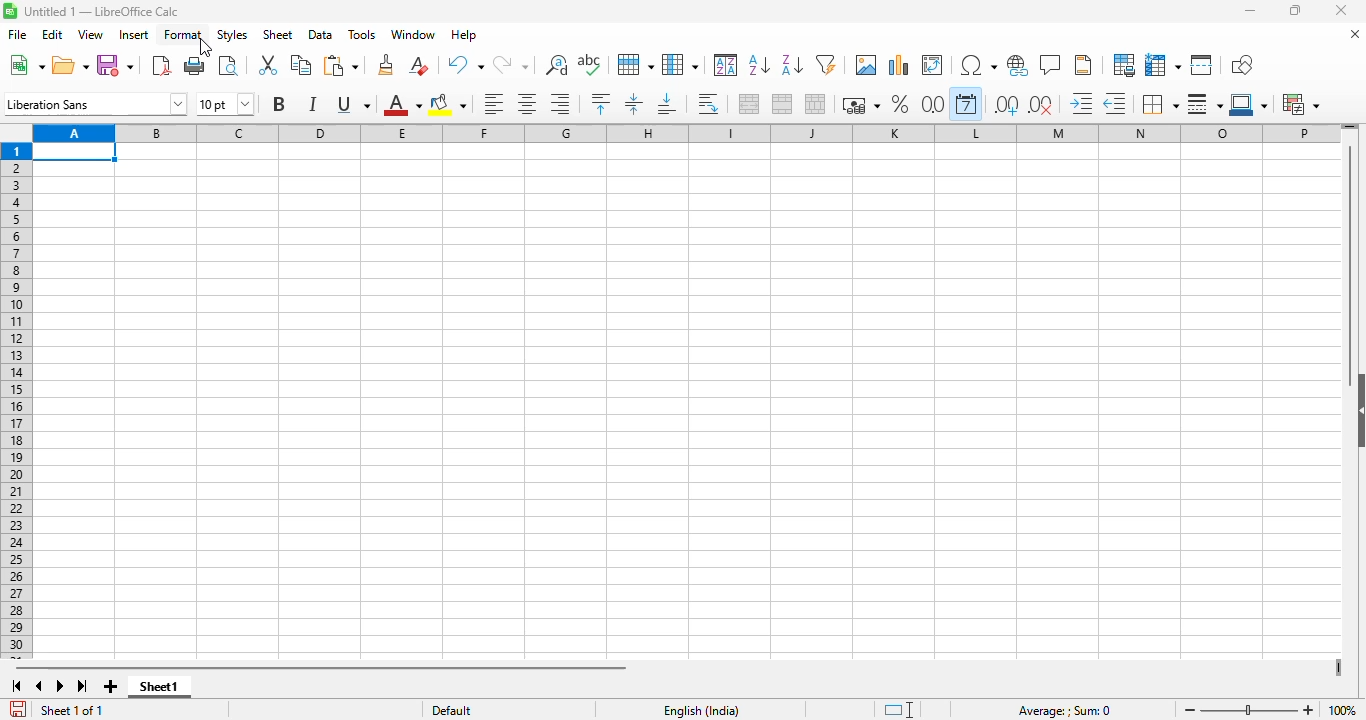  Describe the element at coordinates (1299, 104) in the screenshot. I see `conditional` at that location.